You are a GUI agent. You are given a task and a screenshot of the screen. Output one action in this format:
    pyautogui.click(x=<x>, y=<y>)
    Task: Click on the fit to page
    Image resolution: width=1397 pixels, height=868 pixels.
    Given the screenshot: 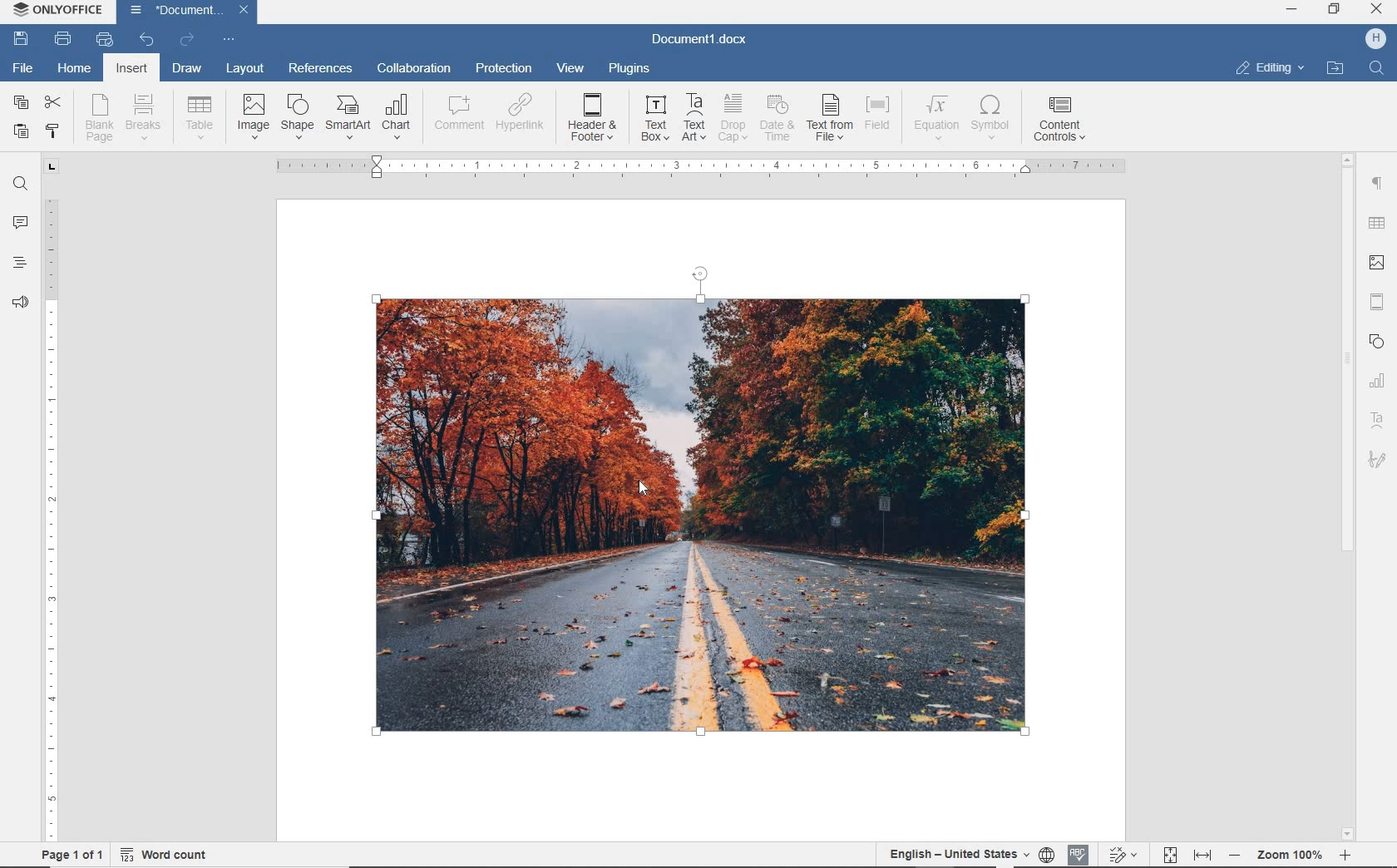 What is the action you would take?
    pyautogui.click(x=1171, y=854)
    